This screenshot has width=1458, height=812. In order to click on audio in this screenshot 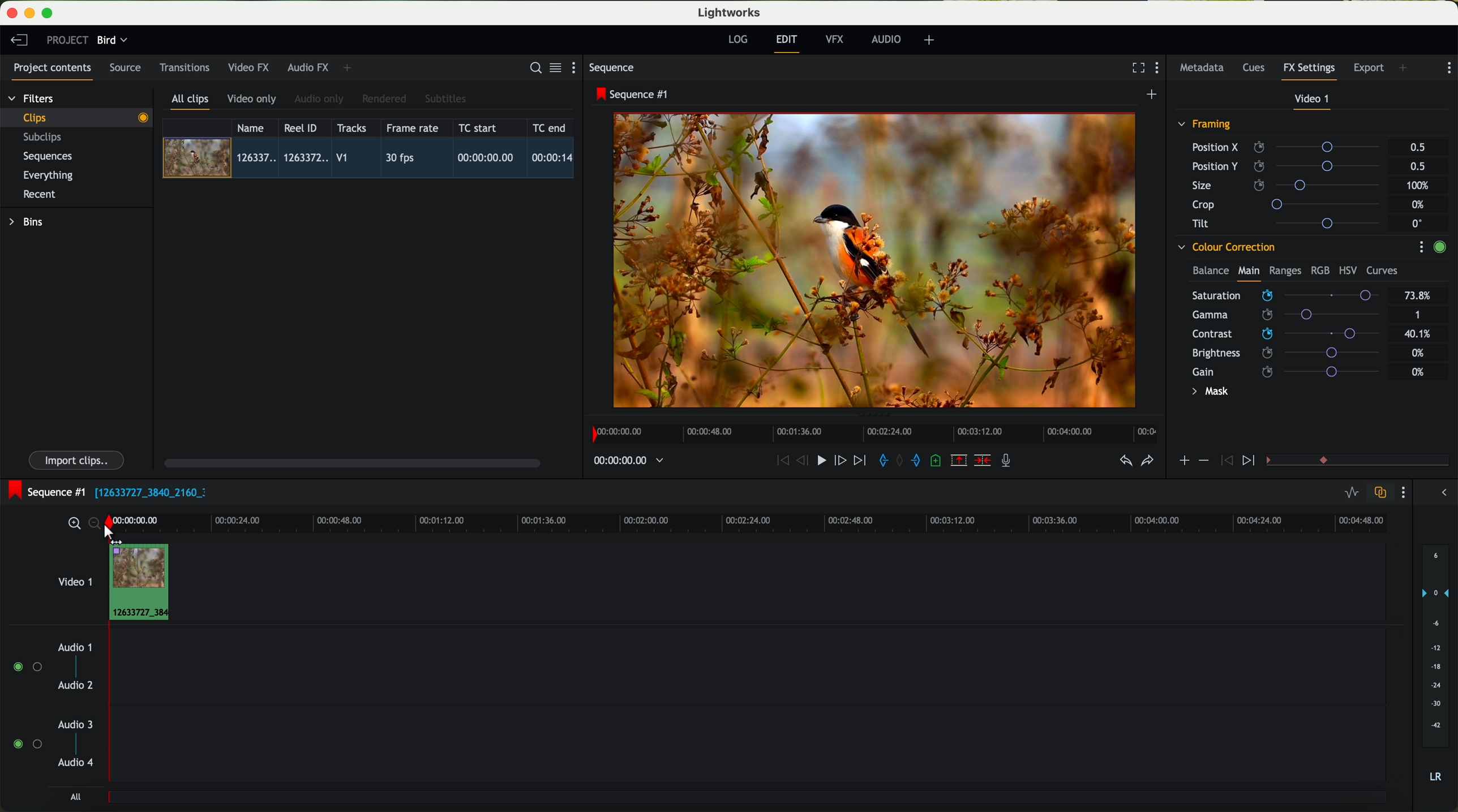, I will do `click(886, 39)`.